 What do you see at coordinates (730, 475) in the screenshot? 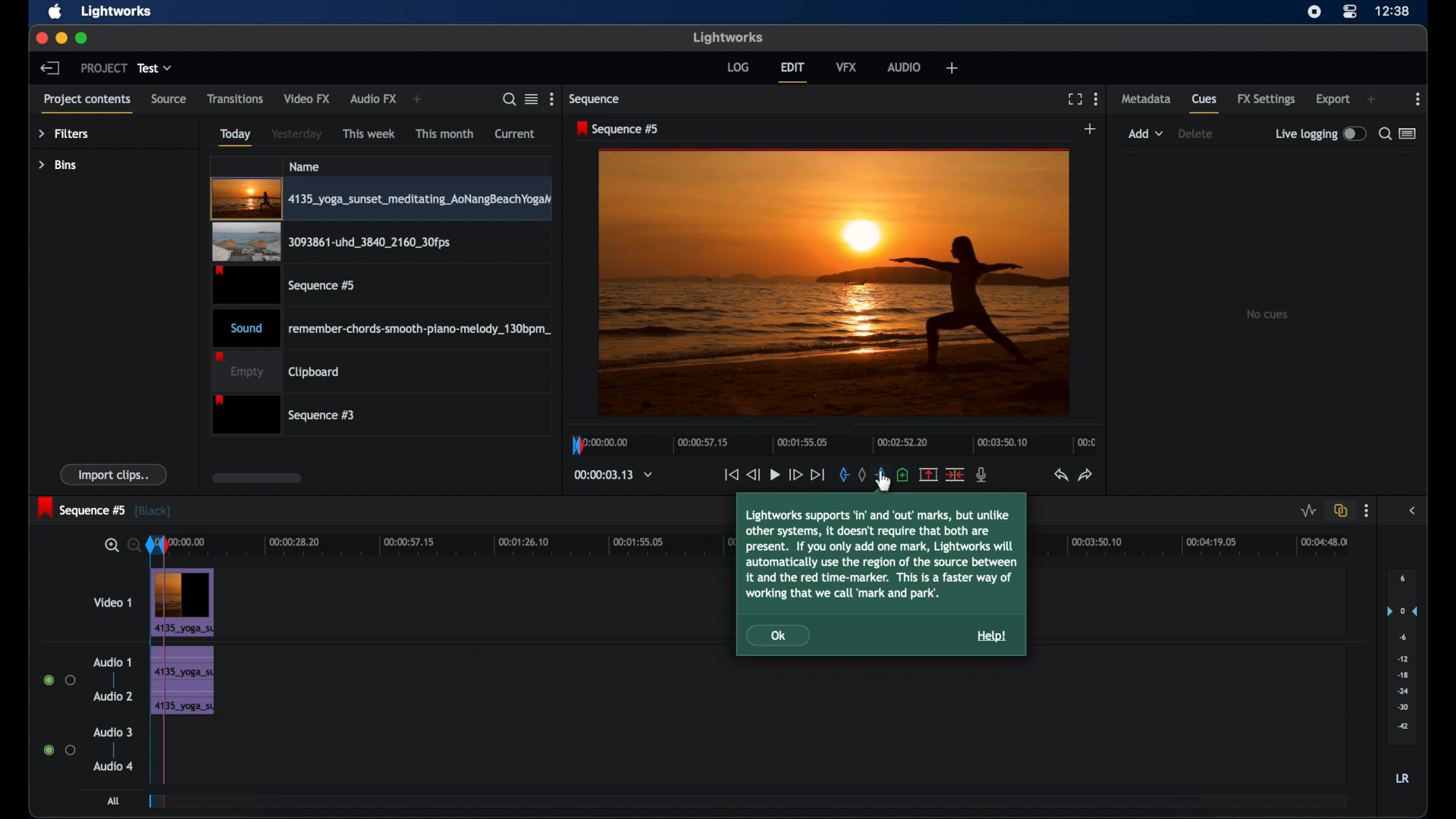
I see `jump to  start` at bounding box center [730, 475].